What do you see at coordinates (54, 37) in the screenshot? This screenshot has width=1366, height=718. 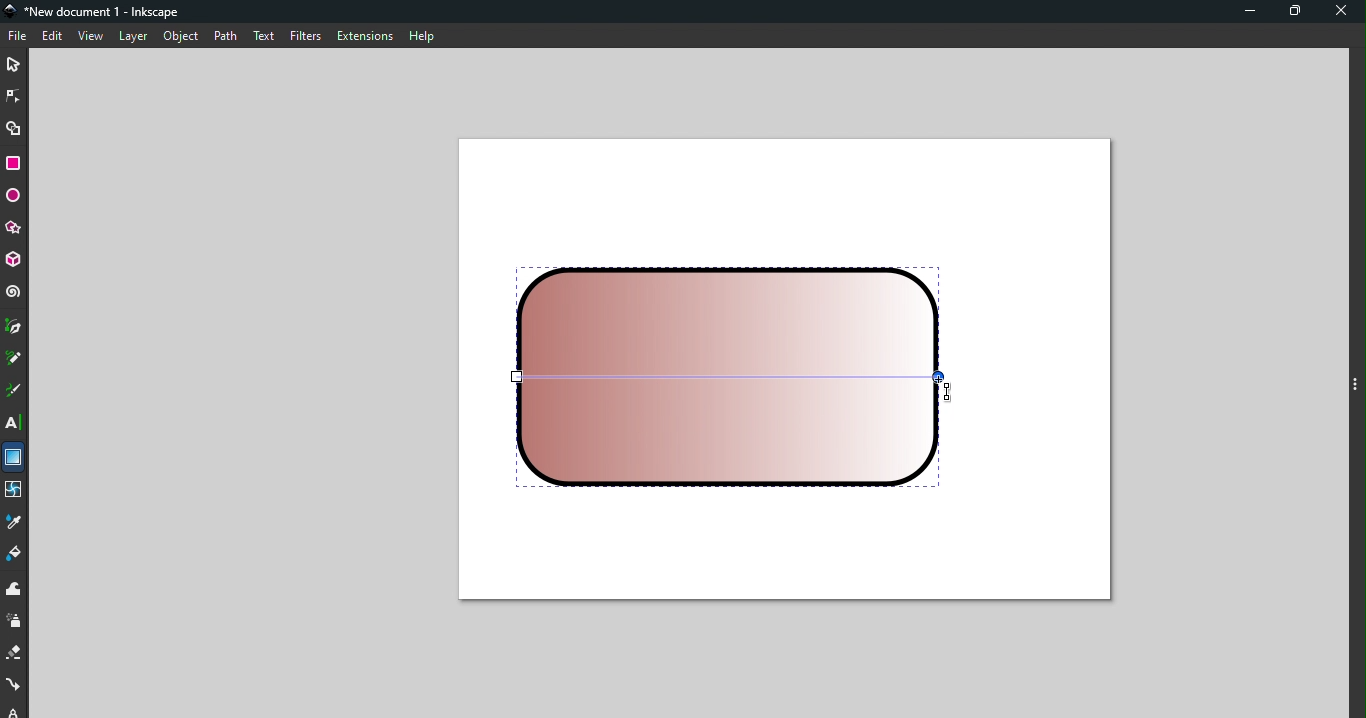 I see `Edit` at bounding box center [54, 37].